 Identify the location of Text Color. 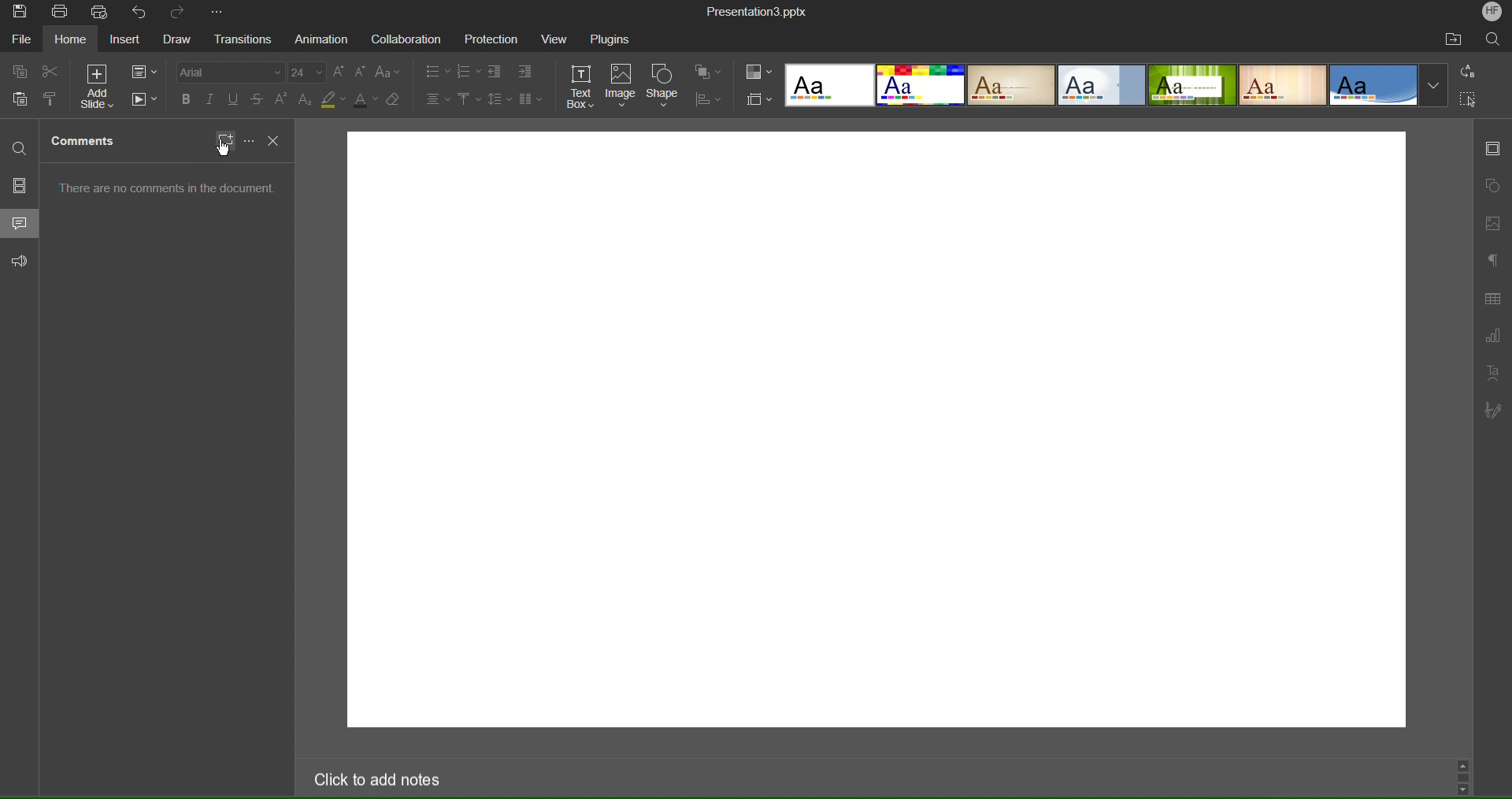
(364, 101).